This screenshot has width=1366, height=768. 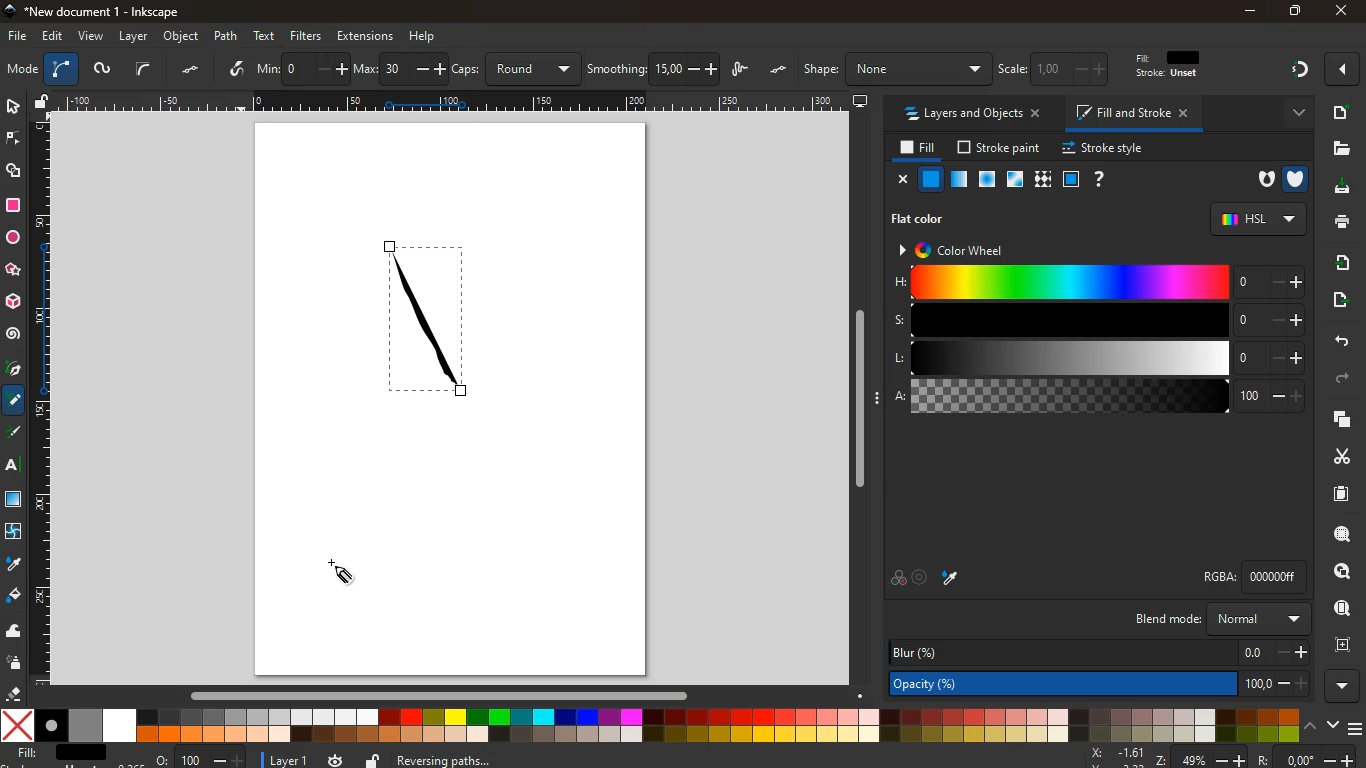 I want to click on hole, so click(x=1260, y=182).